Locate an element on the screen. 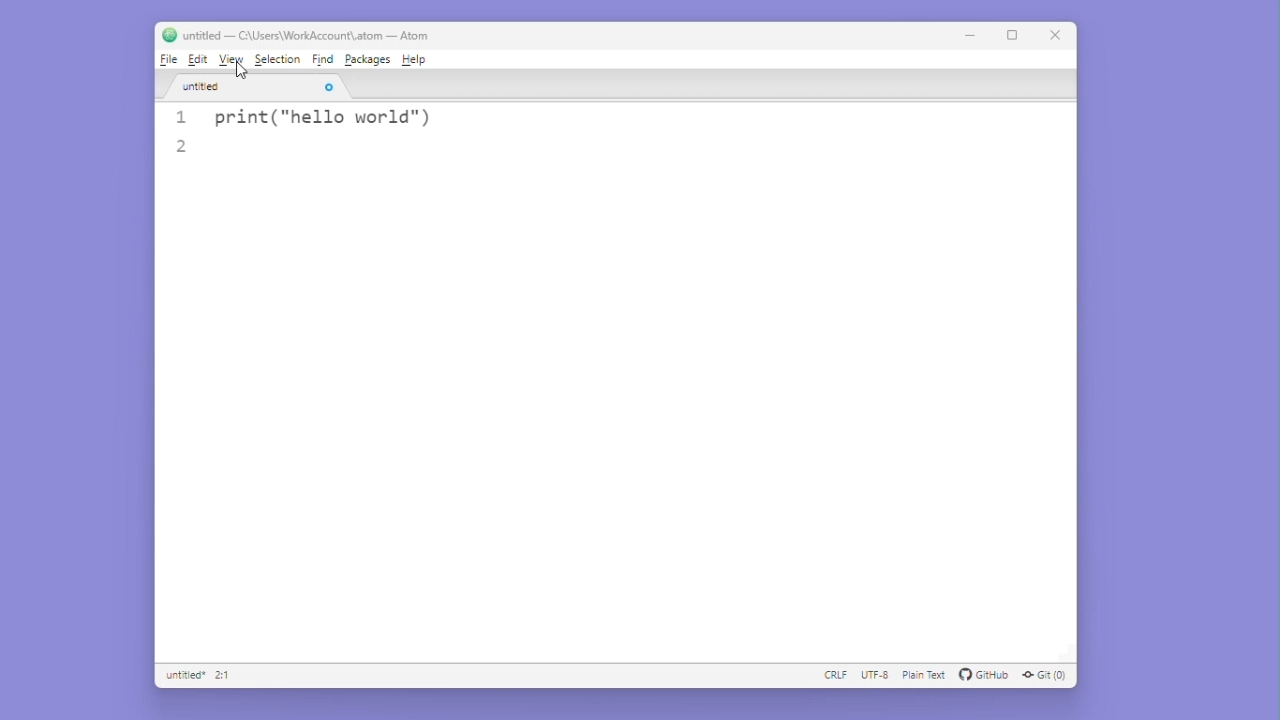  git (0) is located at coordinates (1047, 677).